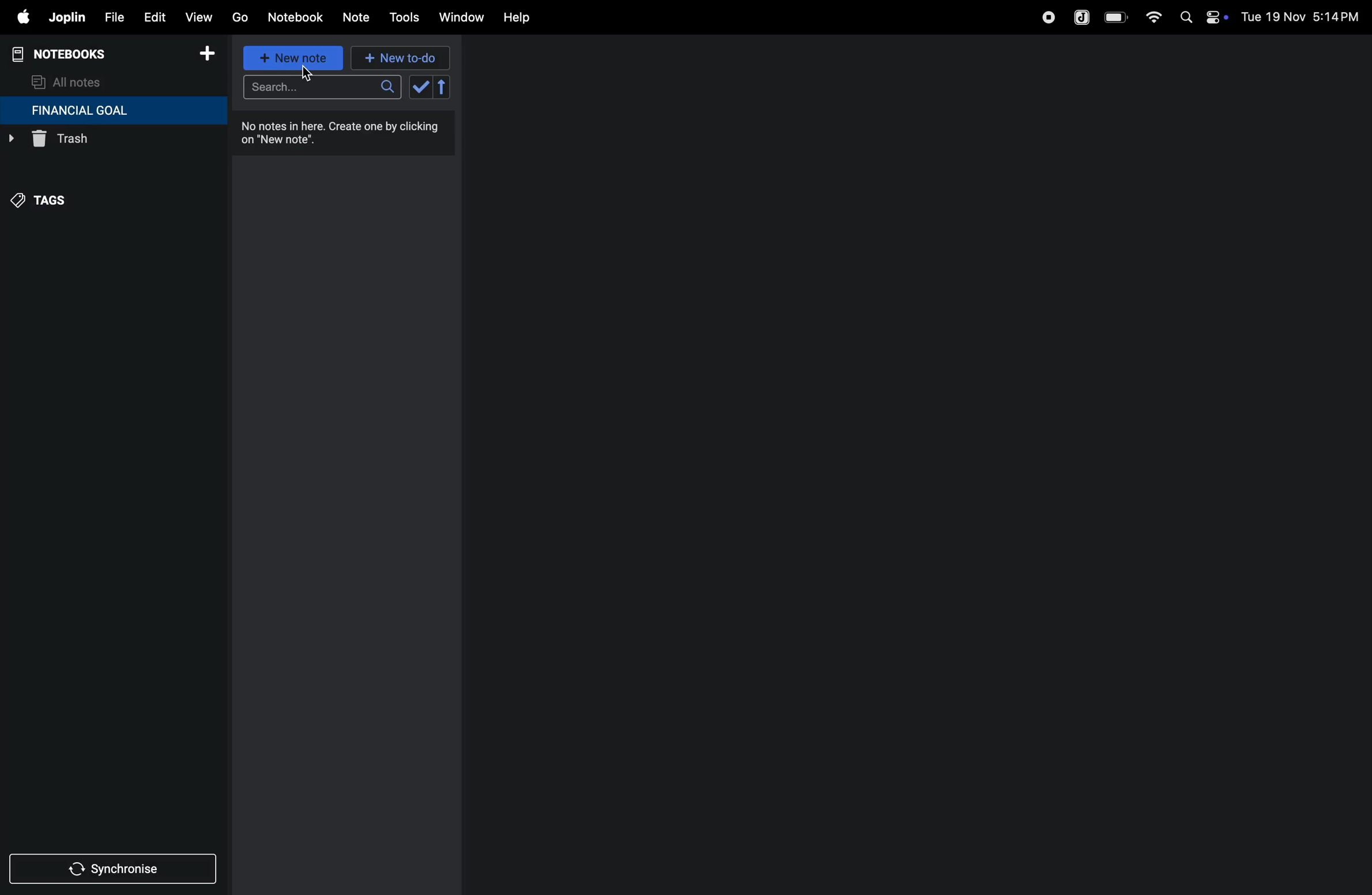 This screenshot has height=895, width=1372. What do you see at coordinates (1150, 17) in the screenshot?
I see `wifi` at bounding box center [1150, 17].